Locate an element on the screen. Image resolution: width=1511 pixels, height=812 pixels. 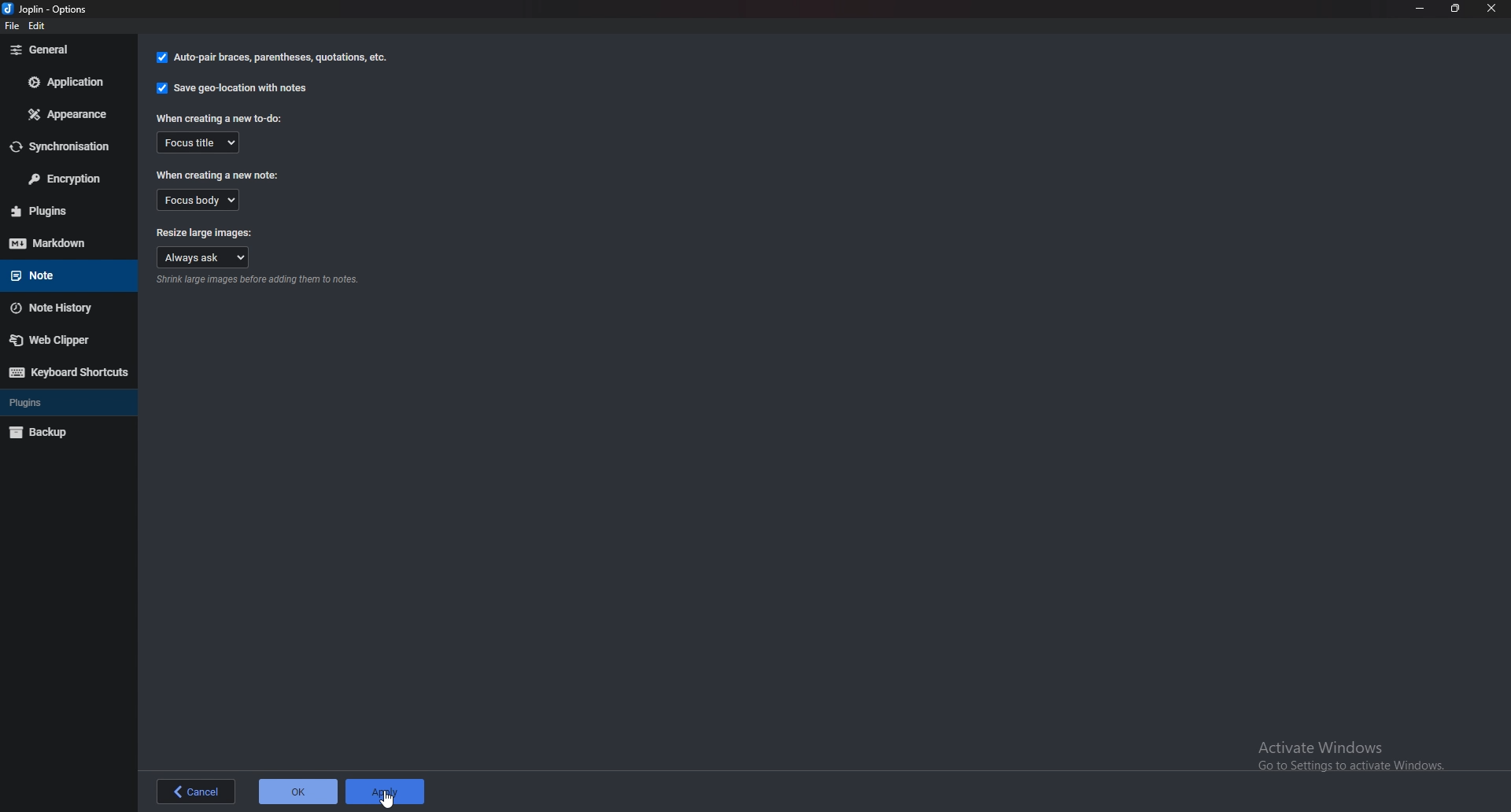
note is located at coordinates (60, 276).